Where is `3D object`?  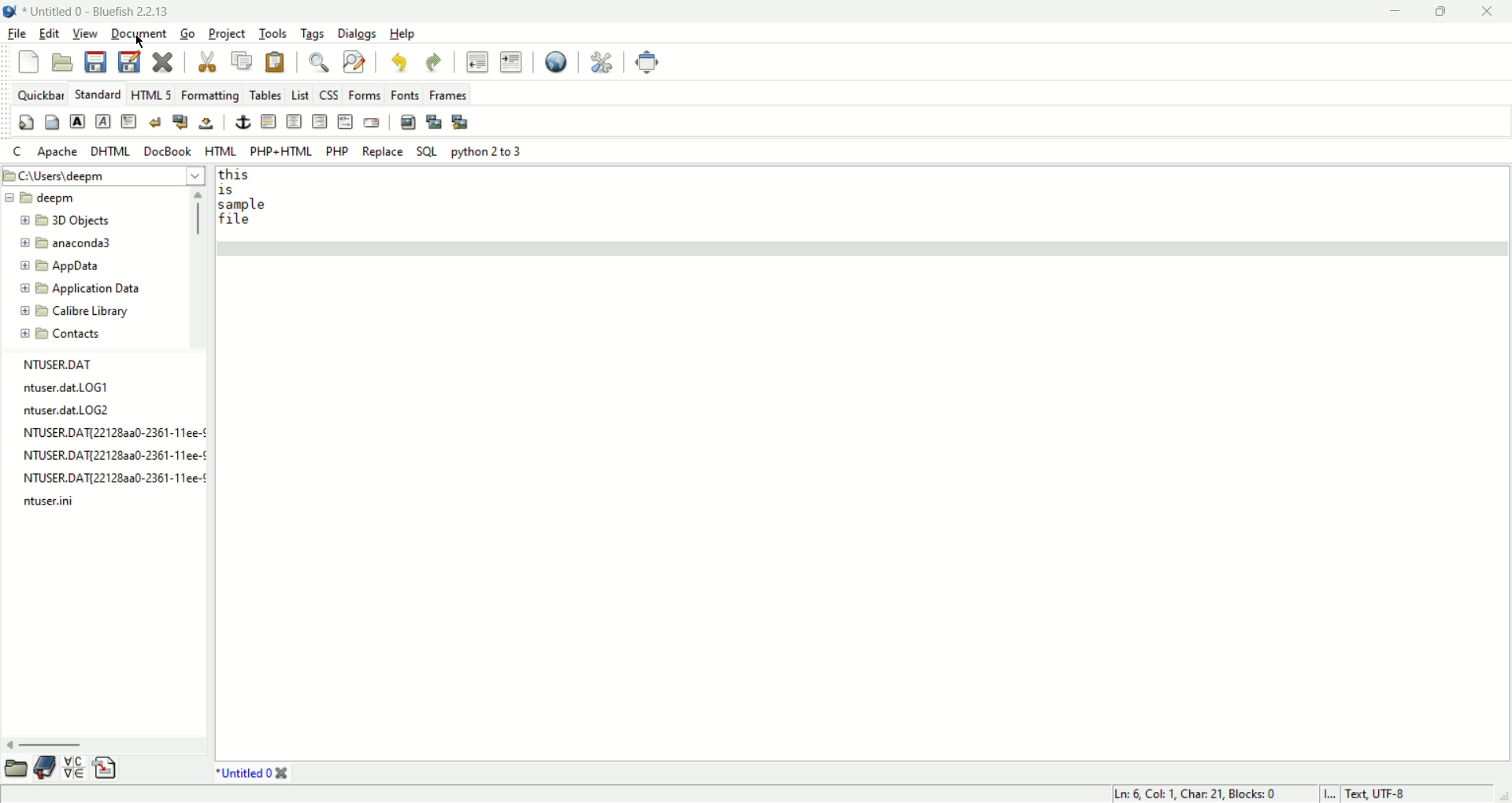 3D object is located at coordinates (69, 220).